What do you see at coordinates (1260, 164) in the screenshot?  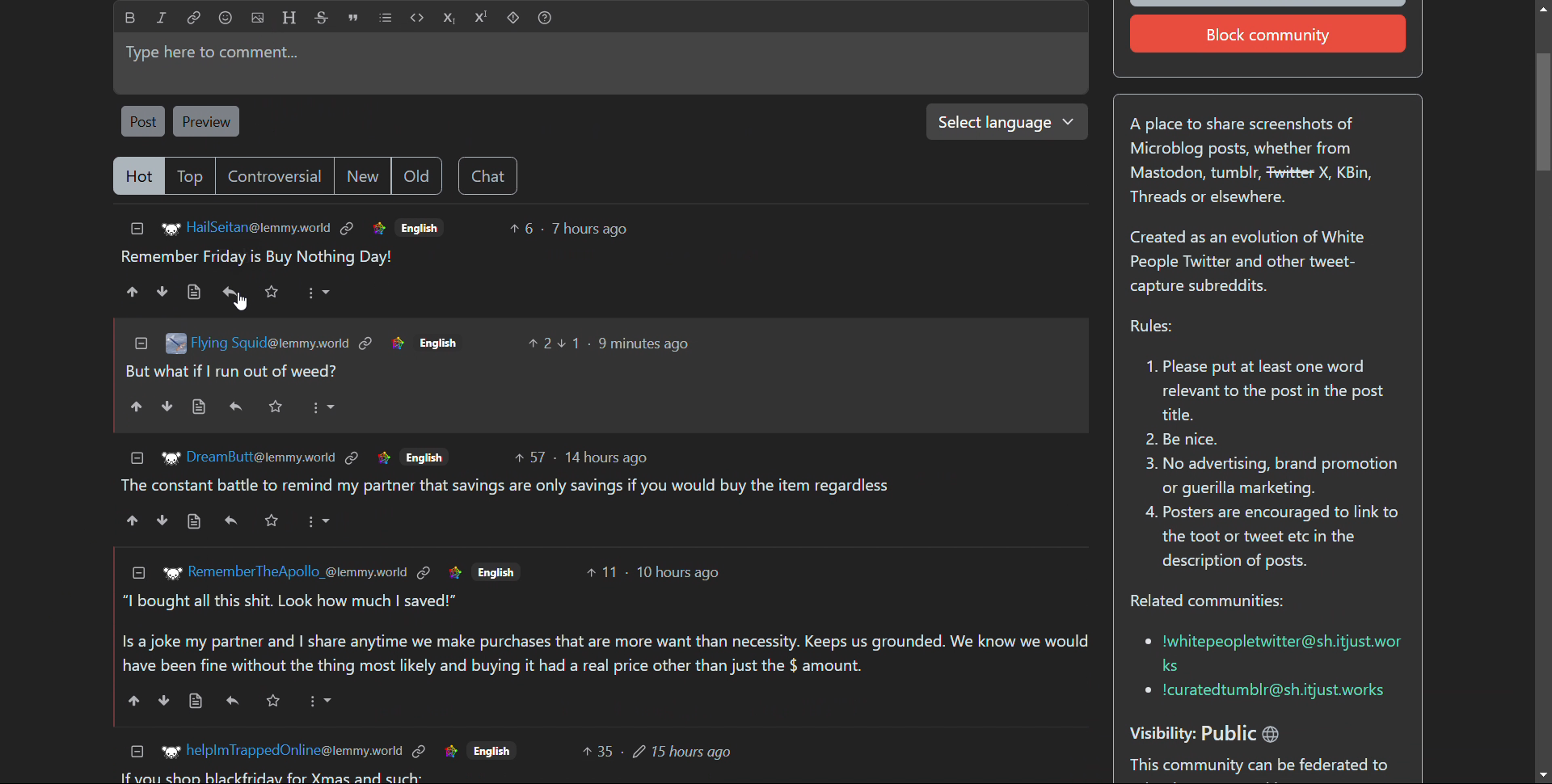 I see `A place to share screenshots of
Microblog posts, whether from
Mastodon, tumblr, Fwitter X, KBin,
Threads or elsewhere.` at bounding box center [1260, 164].